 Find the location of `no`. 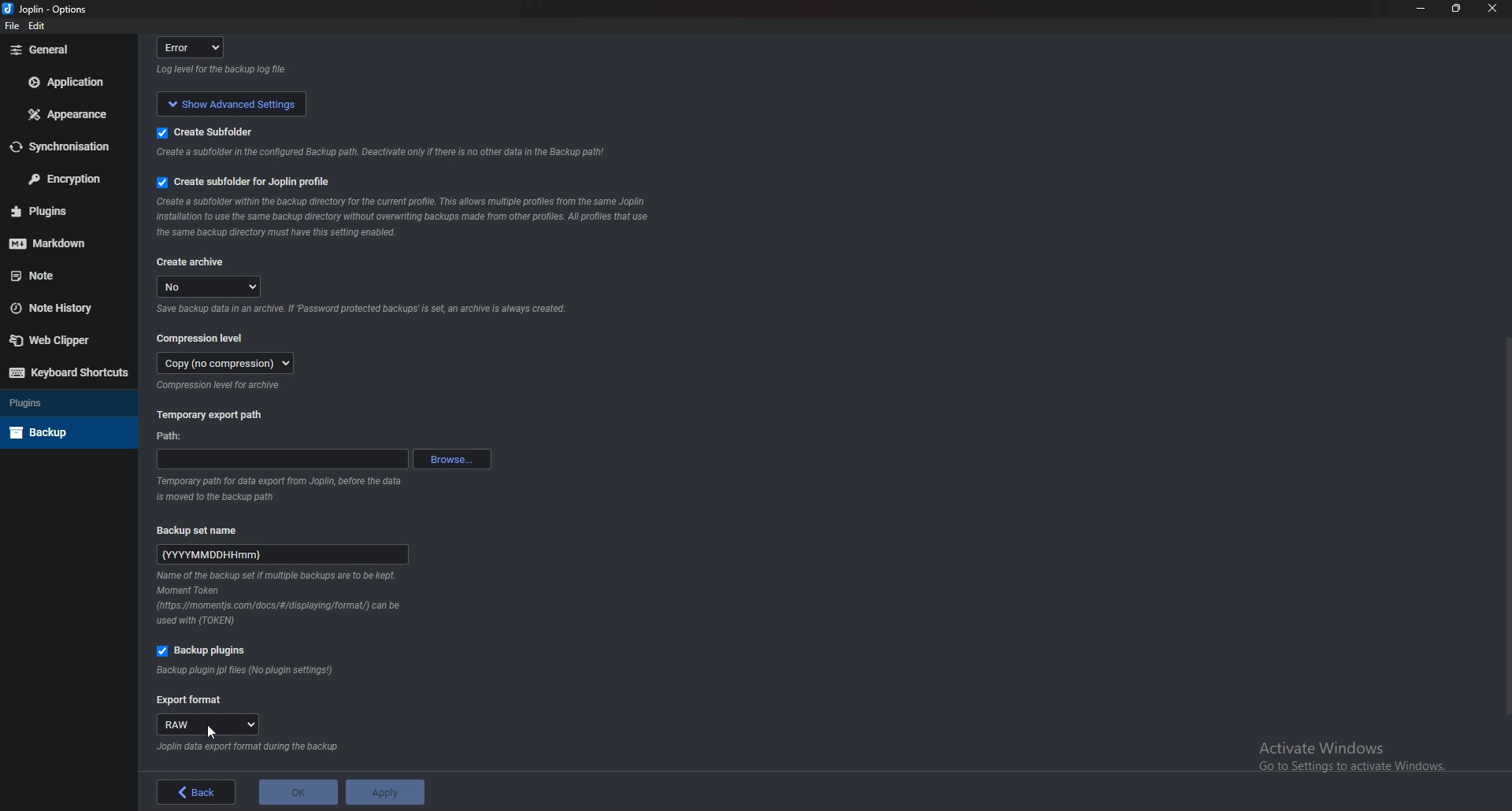

no is located at coordinates (211, 287).